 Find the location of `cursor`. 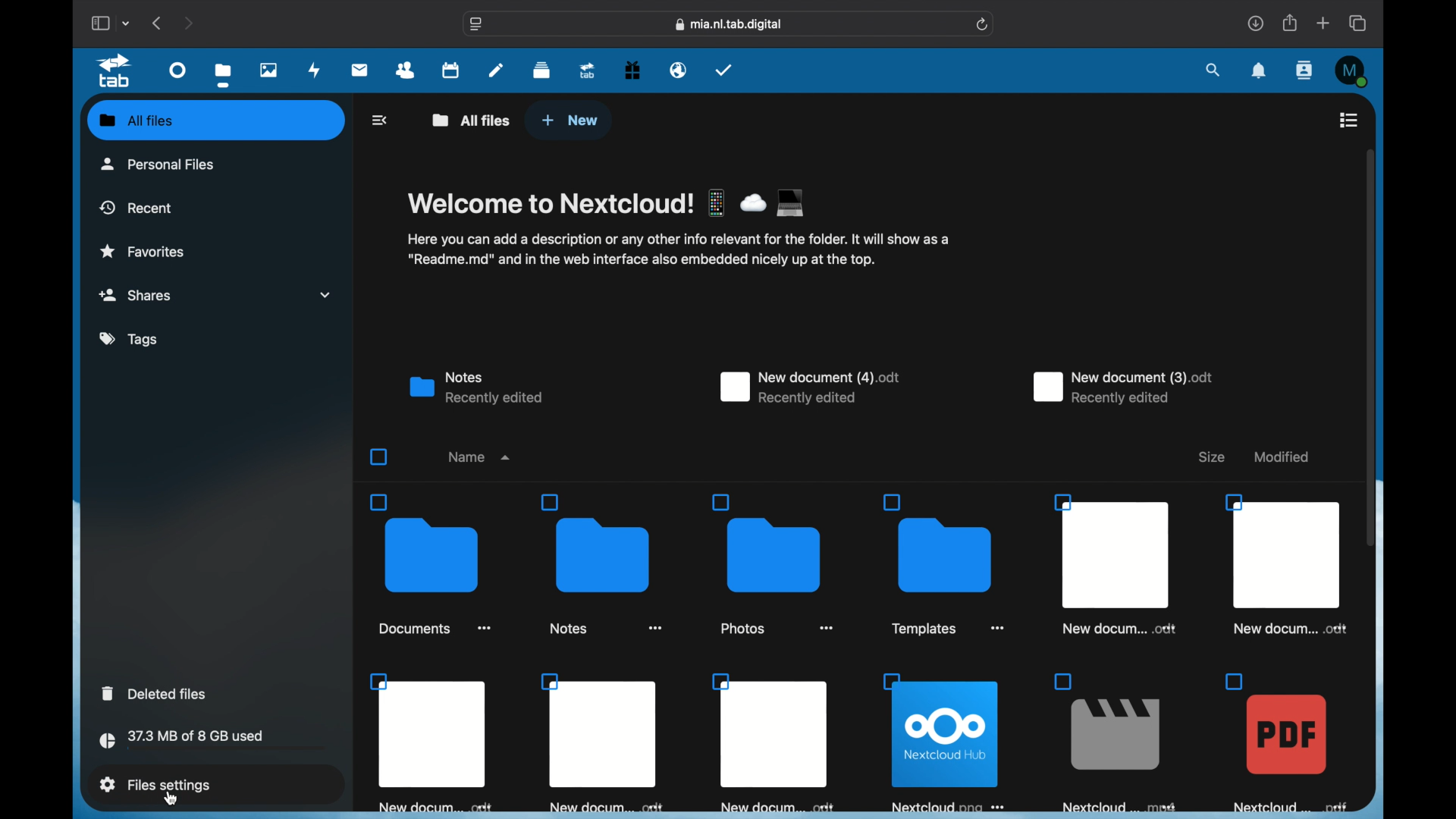

cursor is located at coordinates (171, 799).